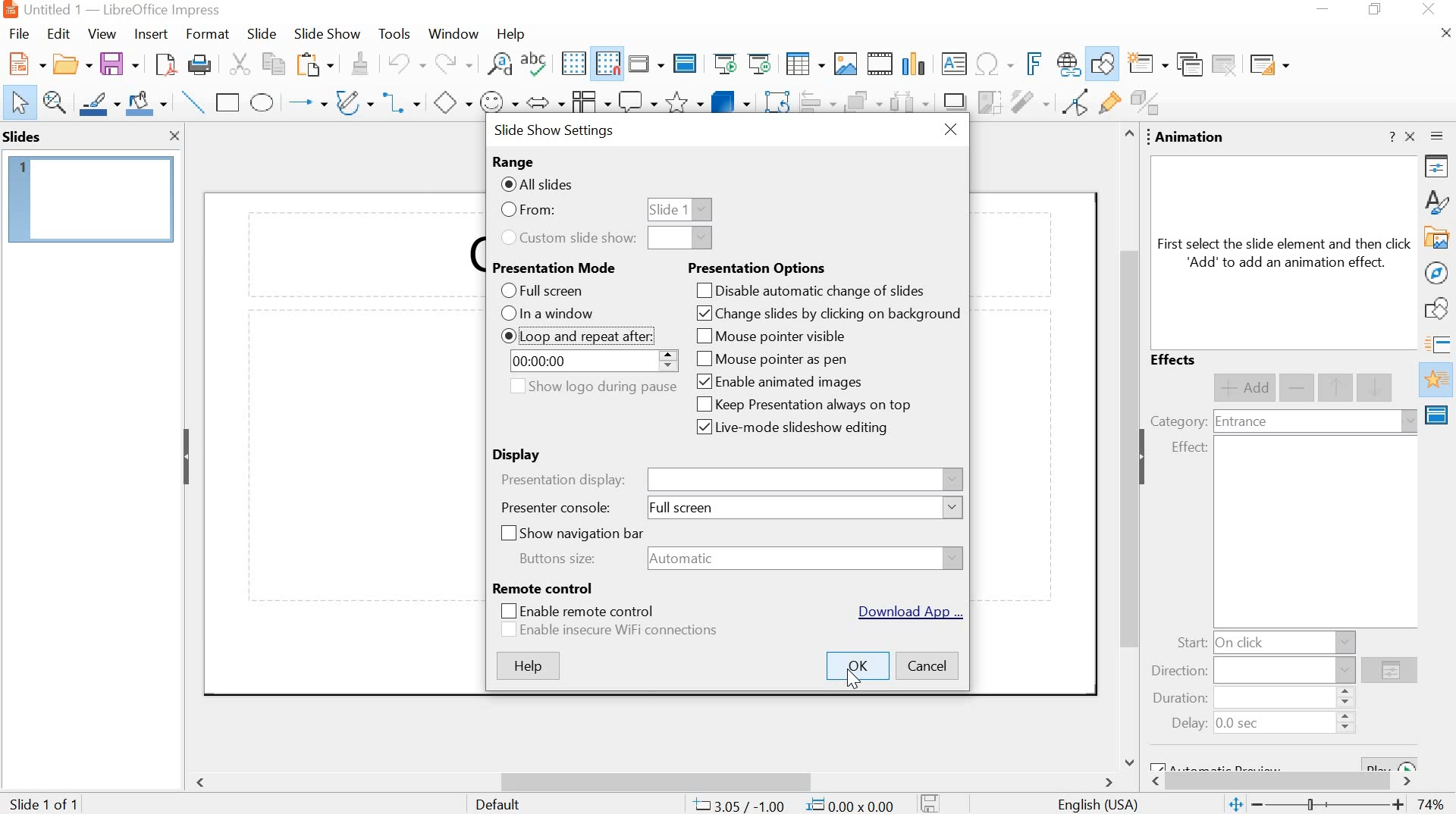  Describe the element at coordinates (1243, 642) in the screenshot. I see `on click` at that location.